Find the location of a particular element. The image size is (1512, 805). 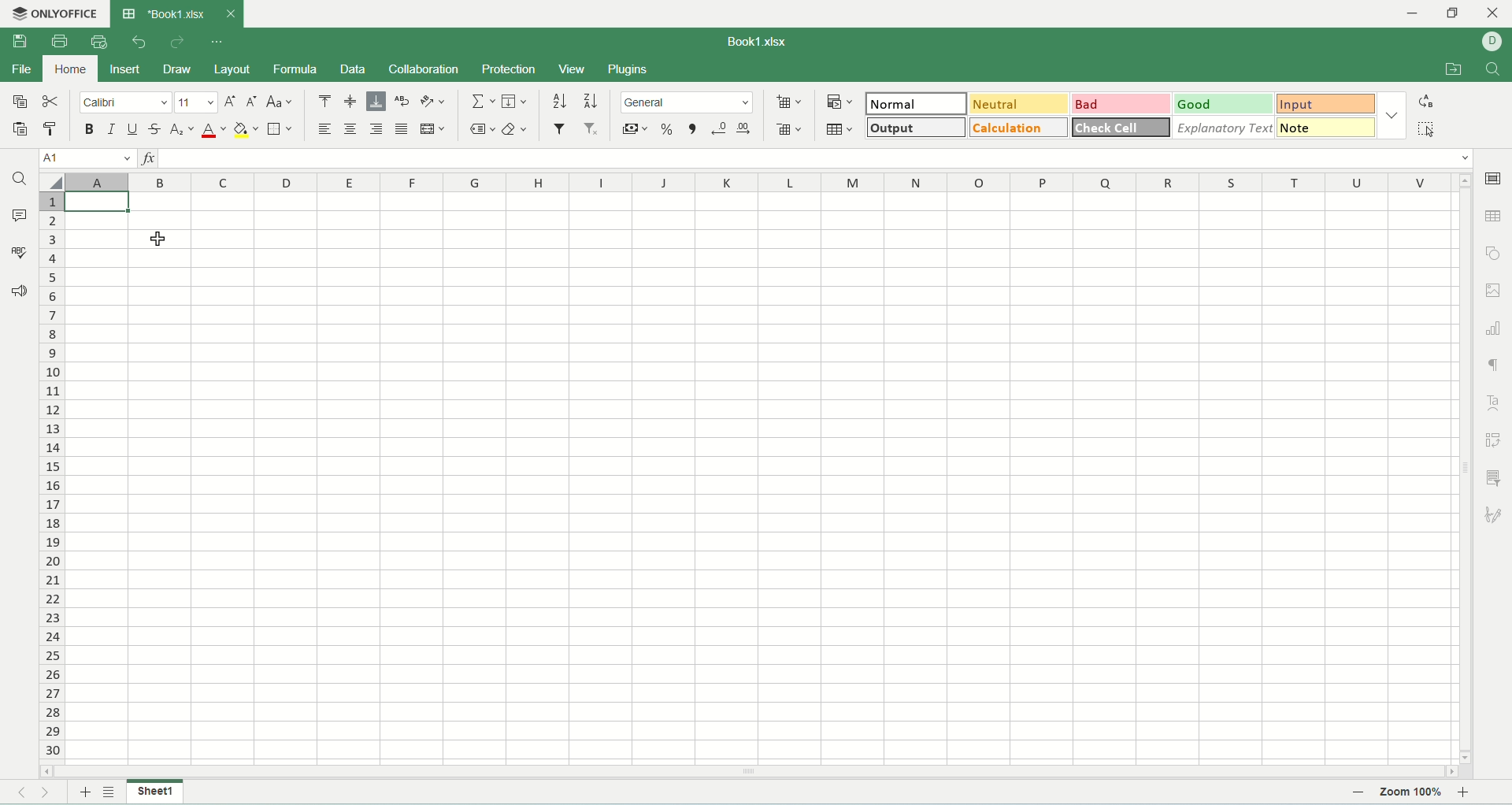

cell setting is located at coordinates (1493, 180).